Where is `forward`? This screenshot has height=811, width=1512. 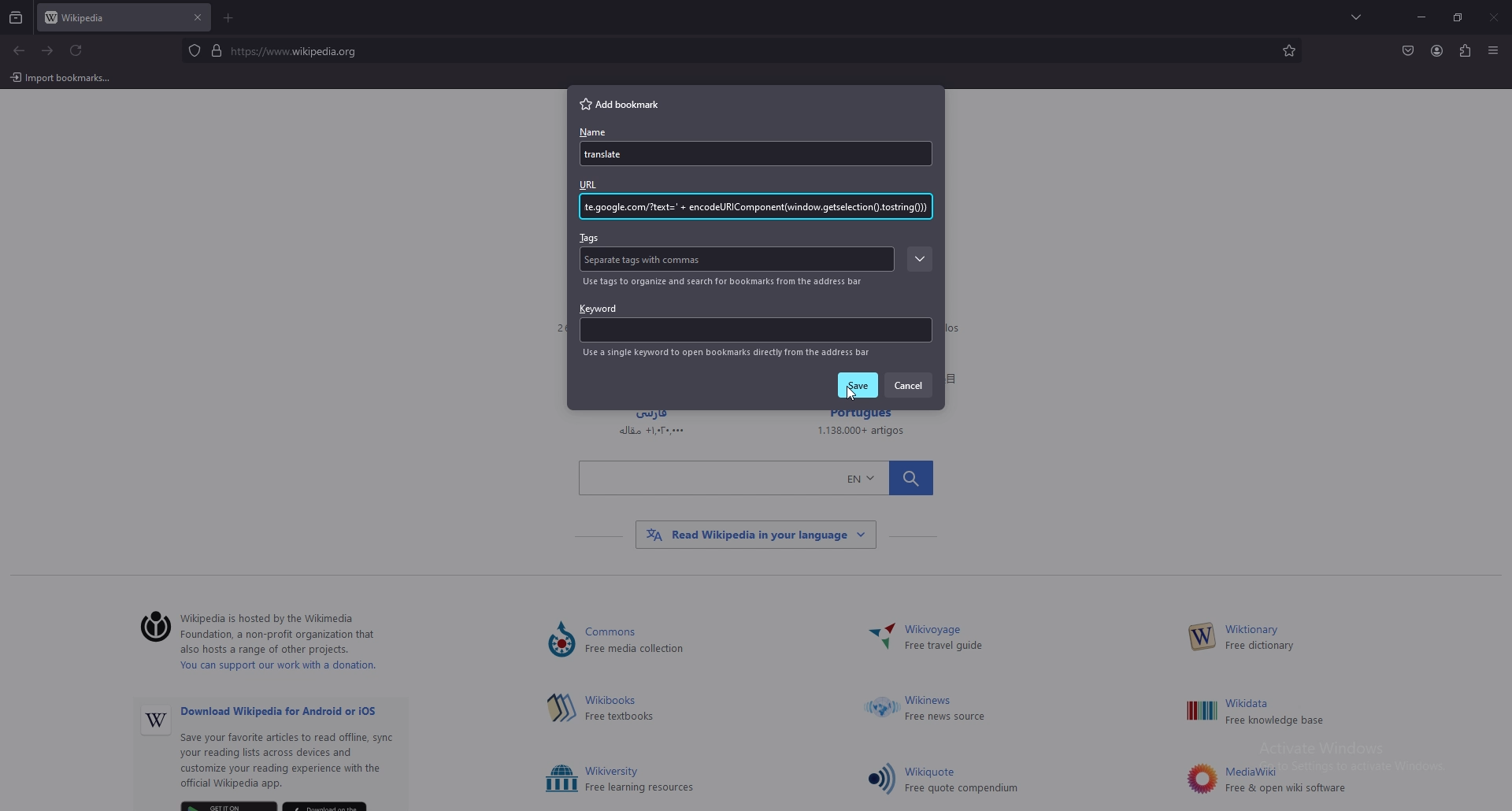
forward is located at coordinates (48, 51).